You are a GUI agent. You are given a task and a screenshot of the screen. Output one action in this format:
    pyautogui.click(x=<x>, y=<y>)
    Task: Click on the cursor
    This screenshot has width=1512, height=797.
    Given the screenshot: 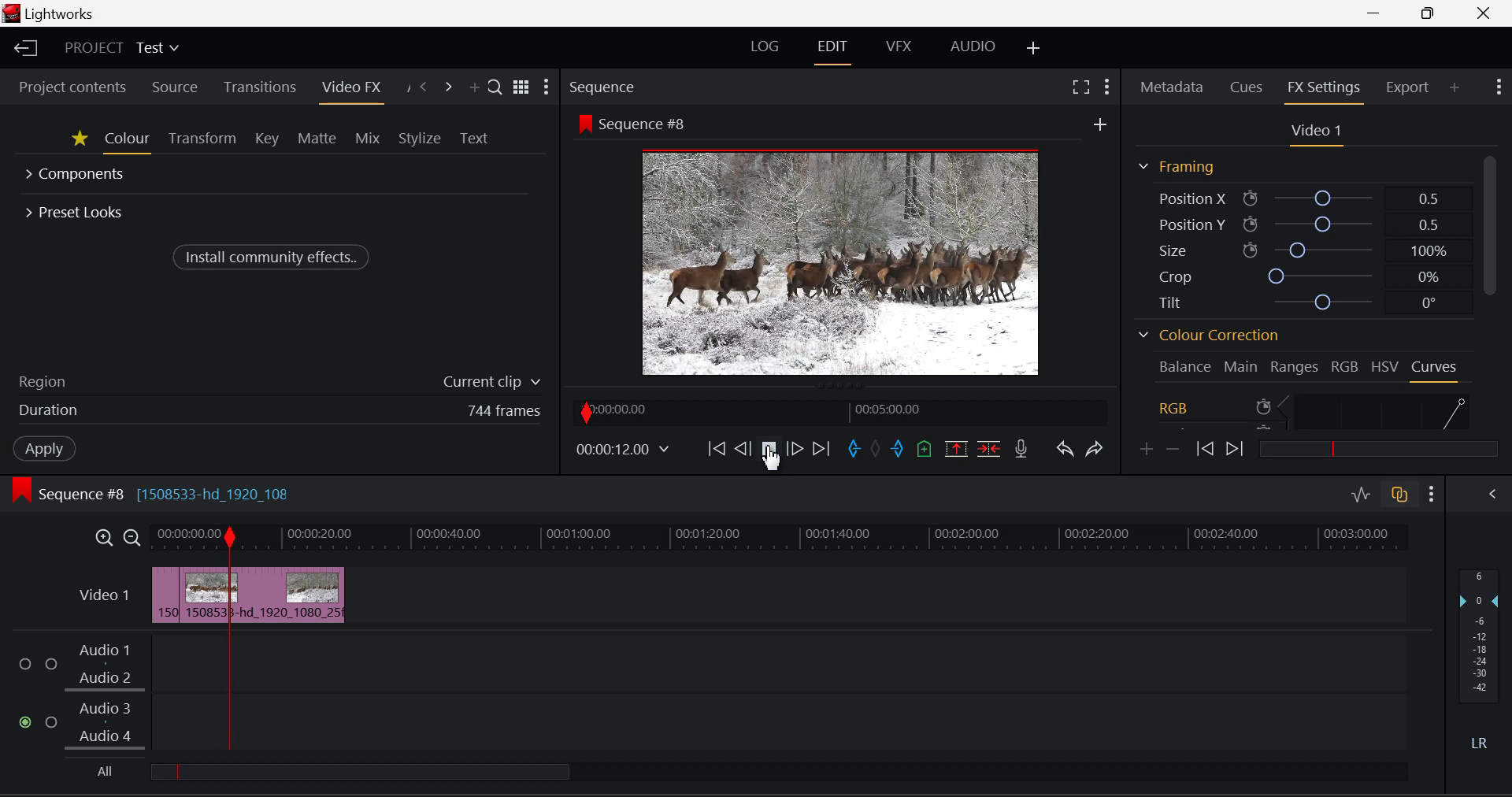 What is the action you would take?
    pyautogui.click(x=779, y=462)
    